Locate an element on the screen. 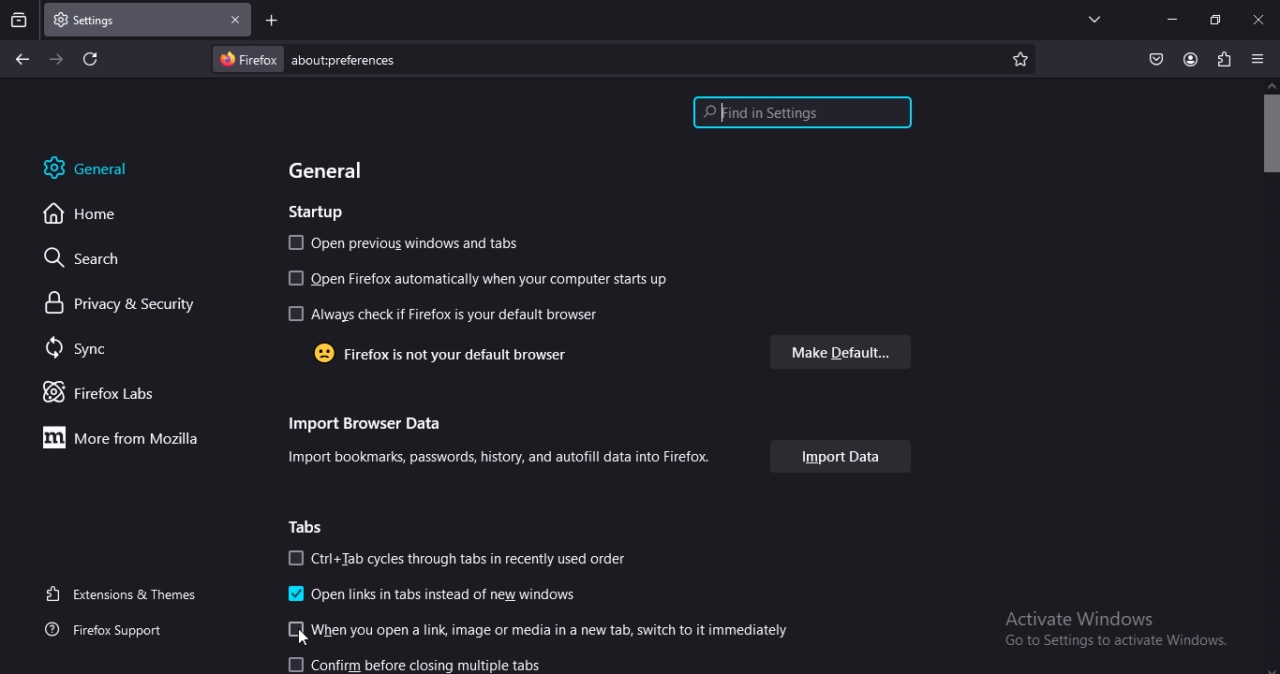 Image resolution: width=1280 pixels, height=674 pixels. list all tabs is located at coordinates (1095, 18).